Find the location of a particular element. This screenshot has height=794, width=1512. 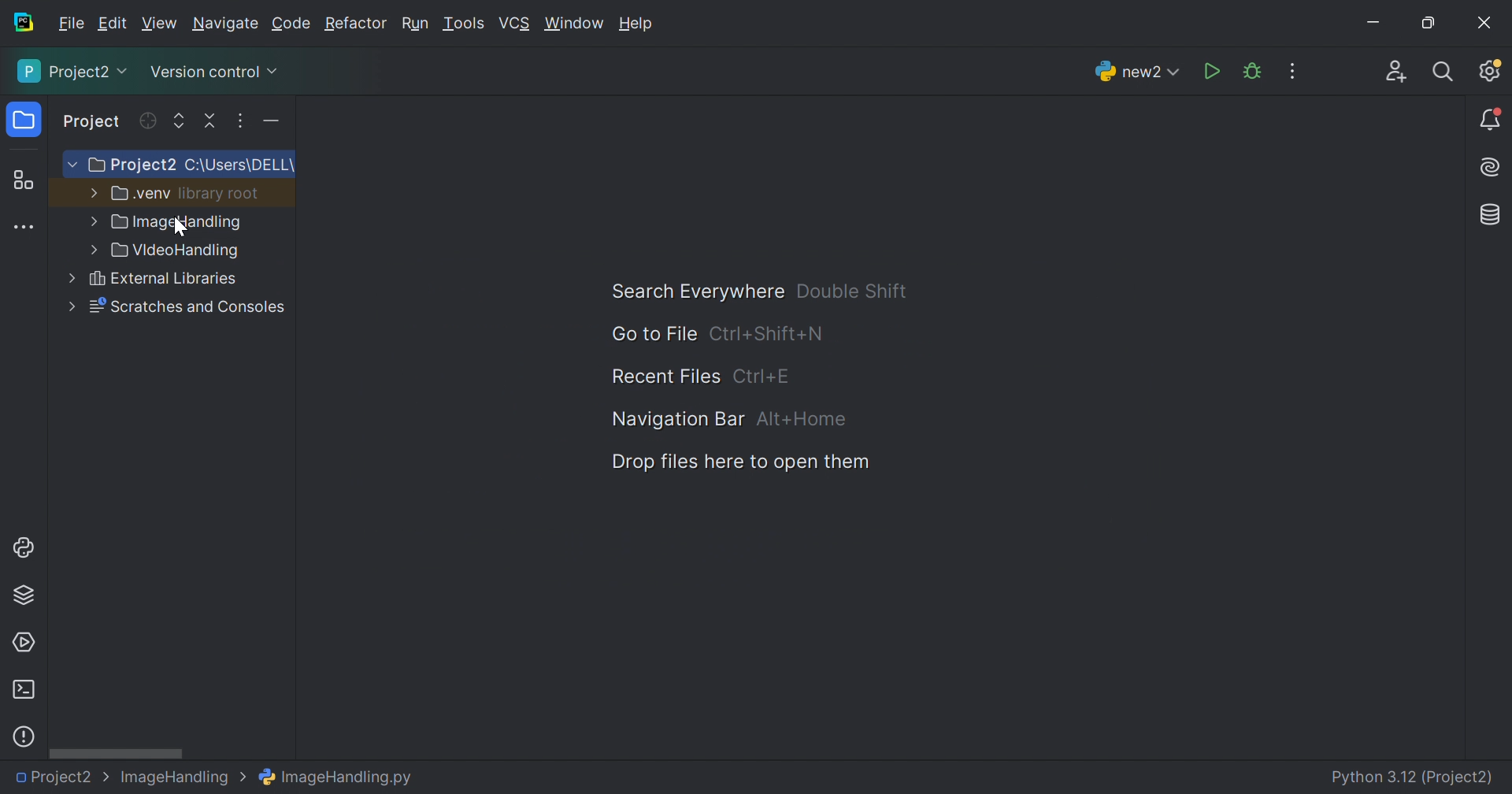

External Libraries is located at coordinates (187, 307).